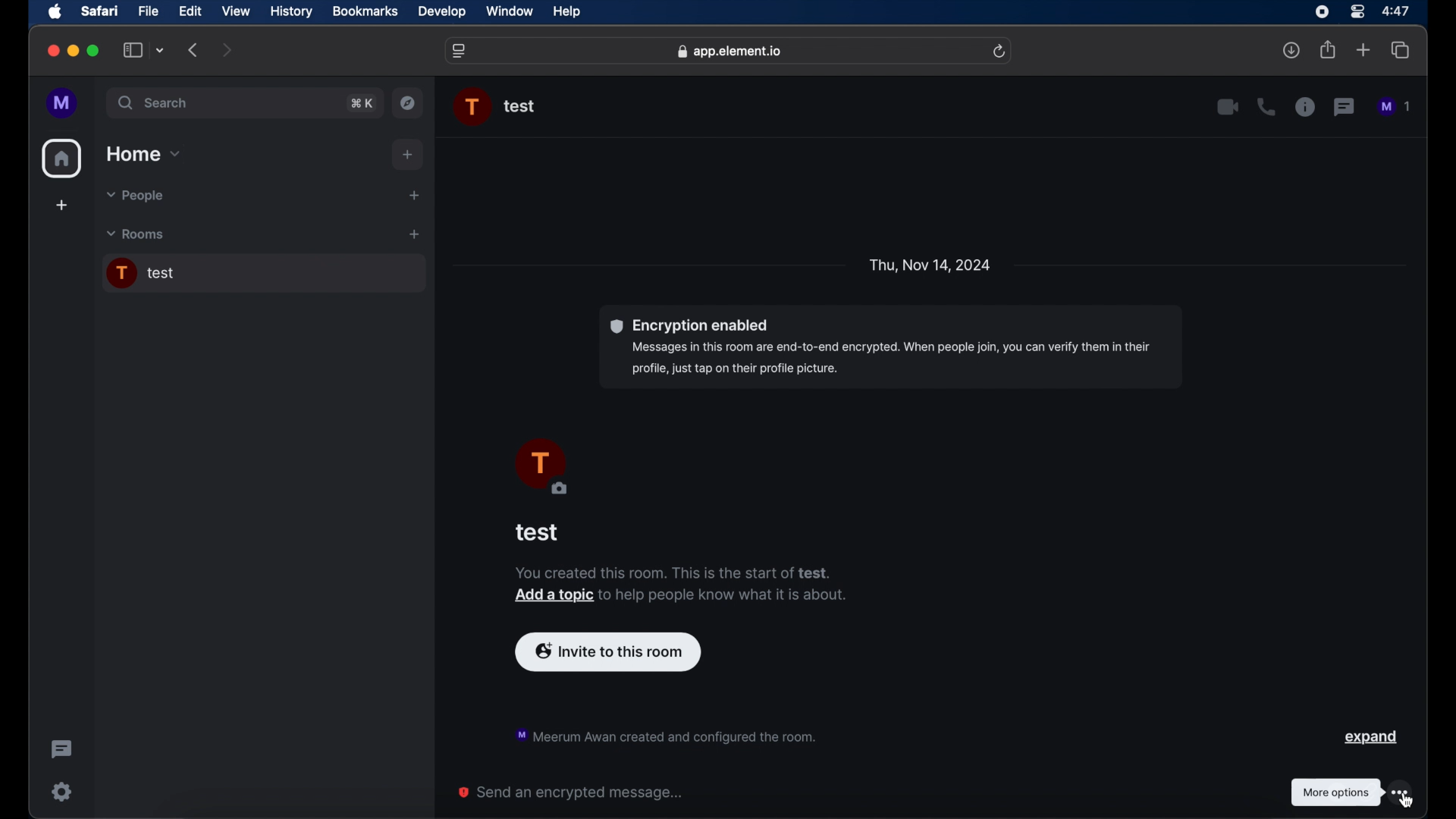 This screenshot has height=819, width=1456. Describe the element at coordinates (365, 11) in the screenshot. I see `bookmarks` at that location.